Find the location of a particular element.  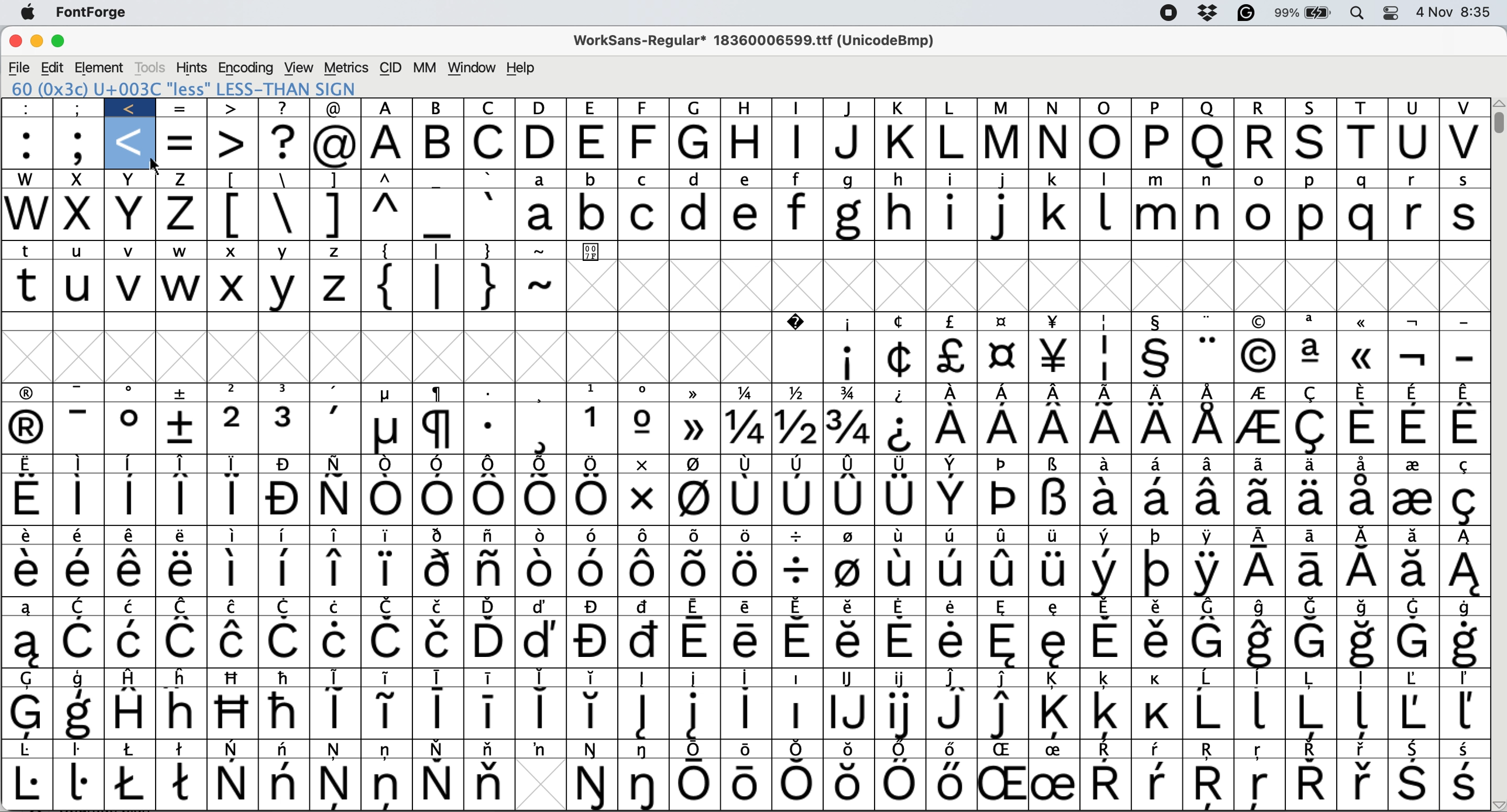

\ is located at coordinates (285, 213).